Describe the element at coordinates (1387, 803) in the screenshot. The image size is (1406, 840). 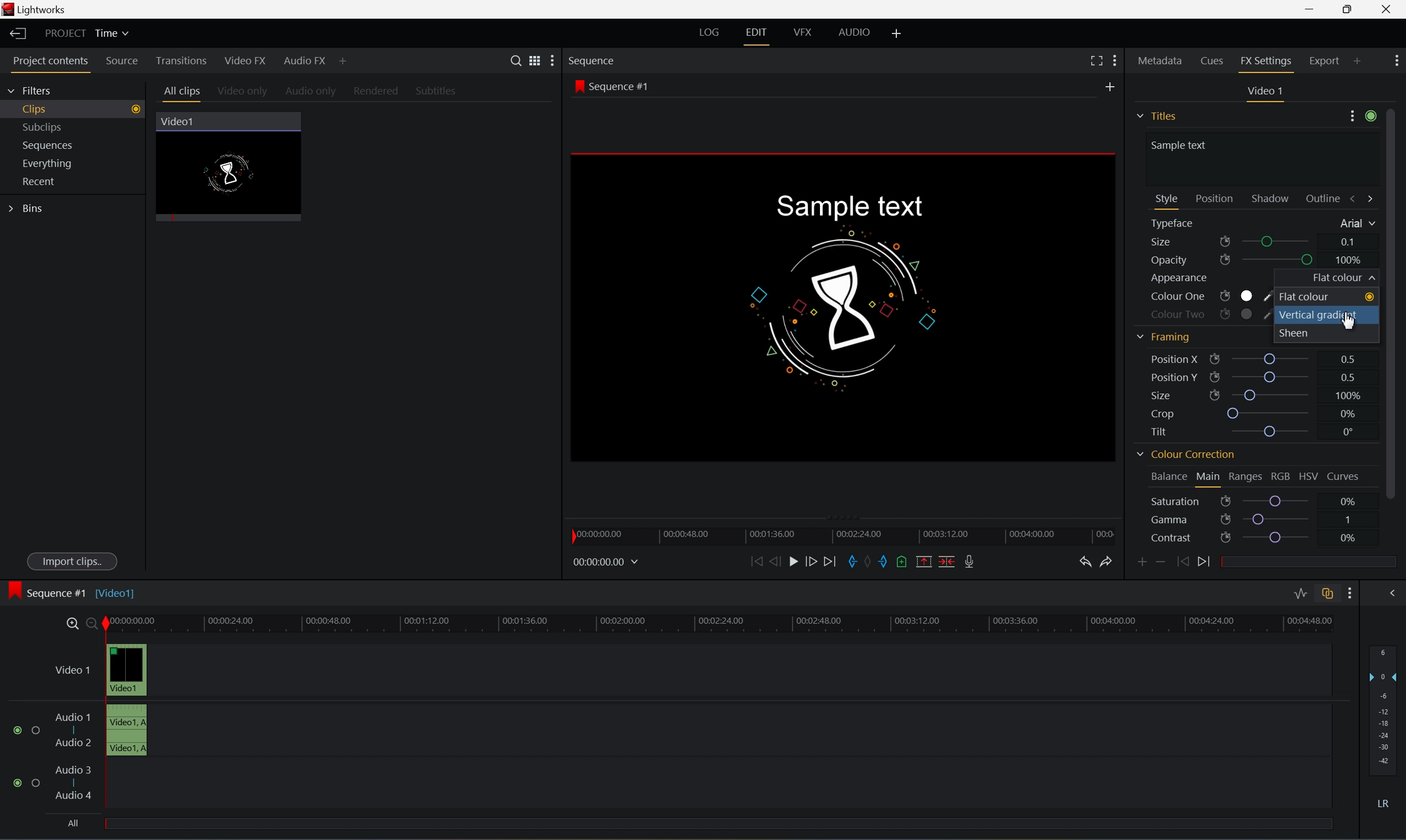
I see `mute` at that location.